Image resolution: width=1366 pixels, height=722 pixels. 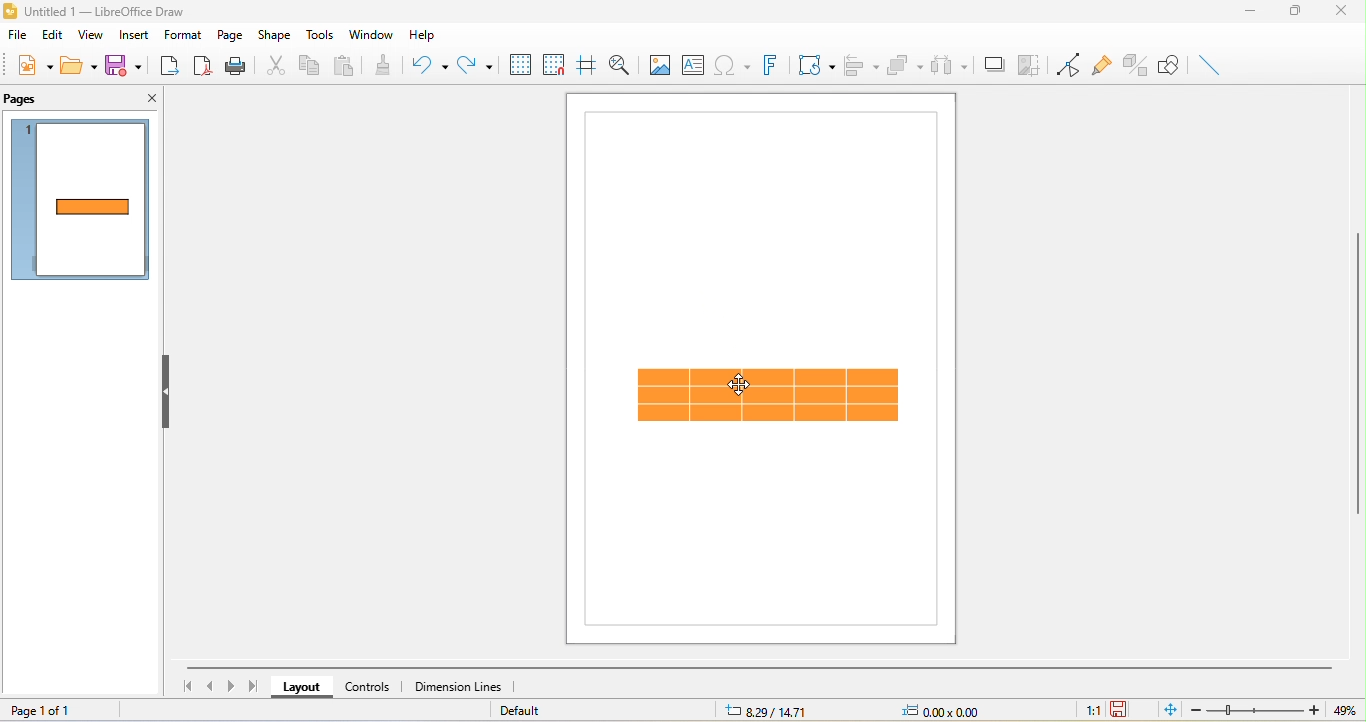 I want to click on redo, so click(x=473, y=64).